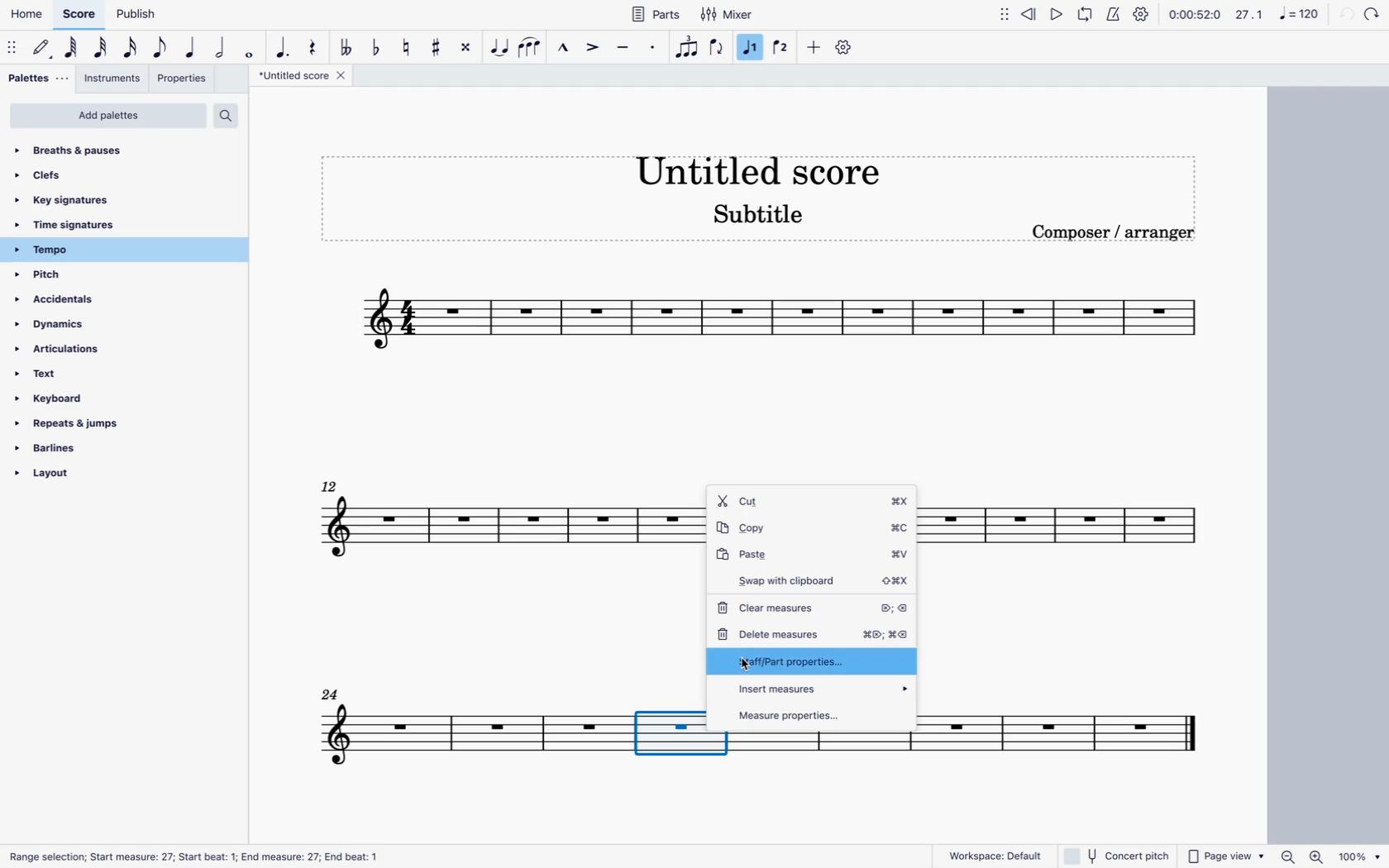 The image size is (1389, 868). What do you see at coordinates (809, 718) in the screenshot?
I see `measure properties` at bounding box center [809, 718].